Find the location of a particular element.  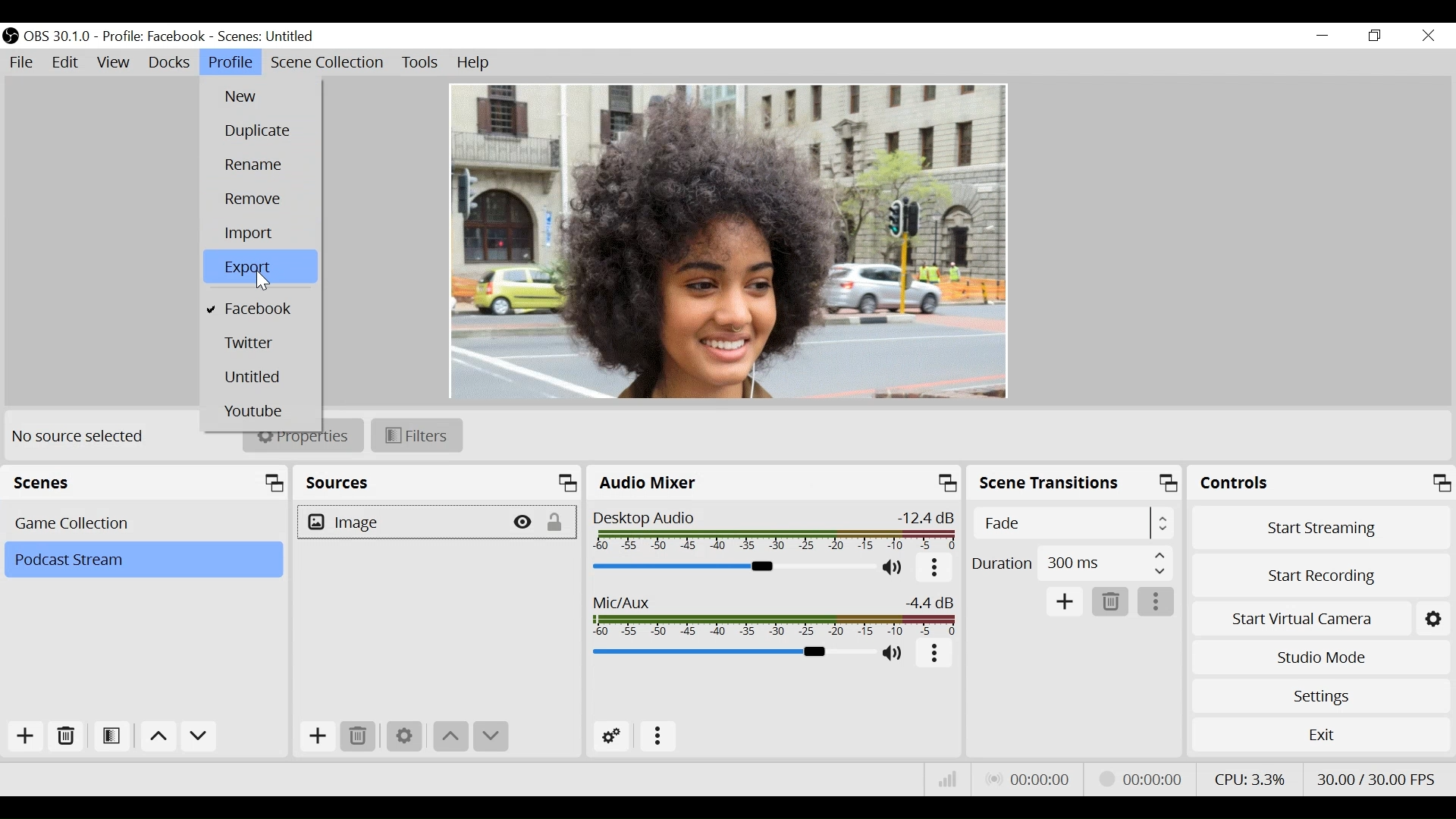

OBS Studio Desktop Icon is located at coordinates (11, 36).